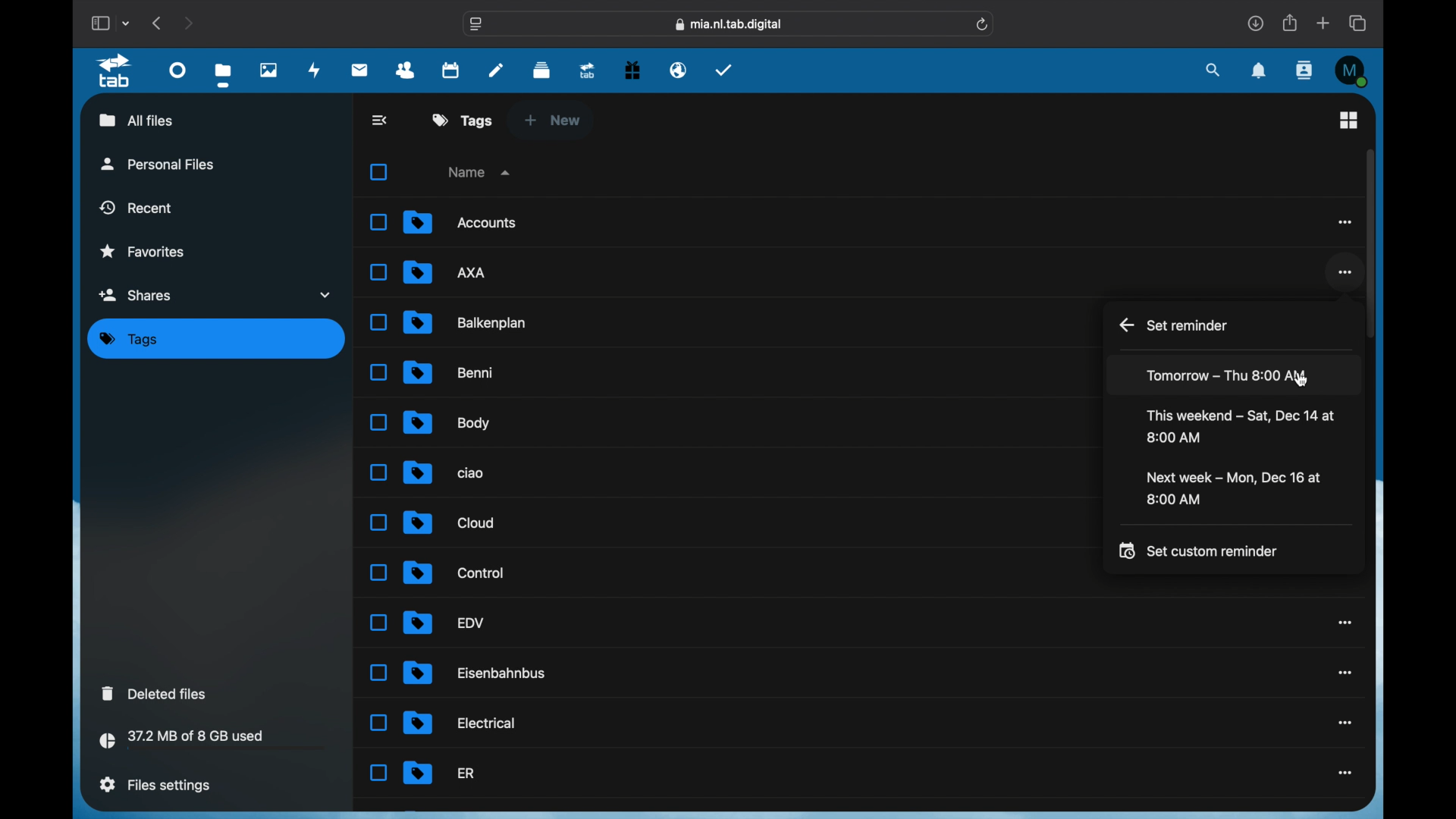 The width and height of the screenshot is (1456, 819). Describe the element at coordinates (468, 322) in the screenshot. I see `file` at that location.